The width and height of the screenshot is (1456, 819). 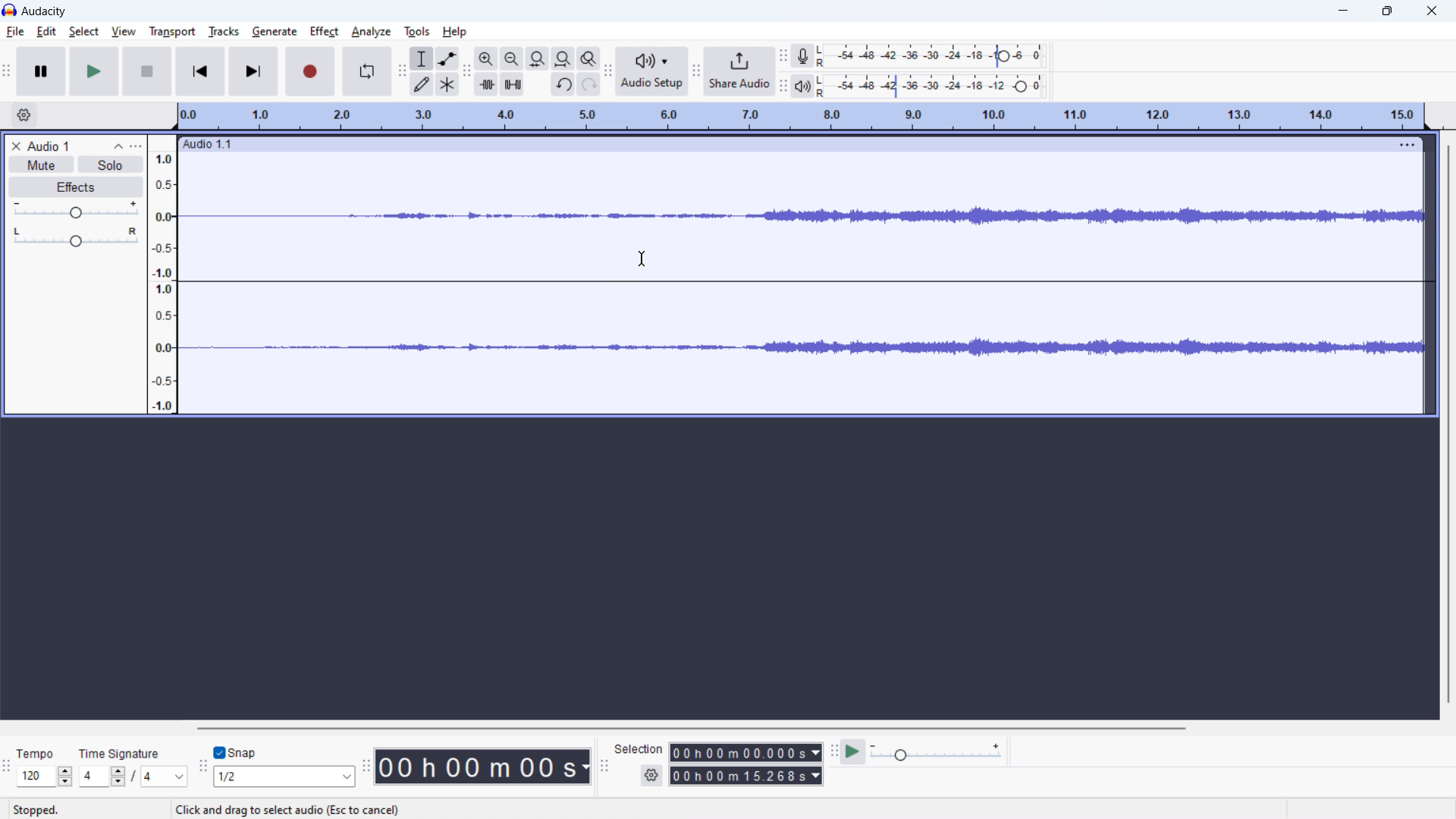 I want to click on envelop tool, so click(x=447, y=58).